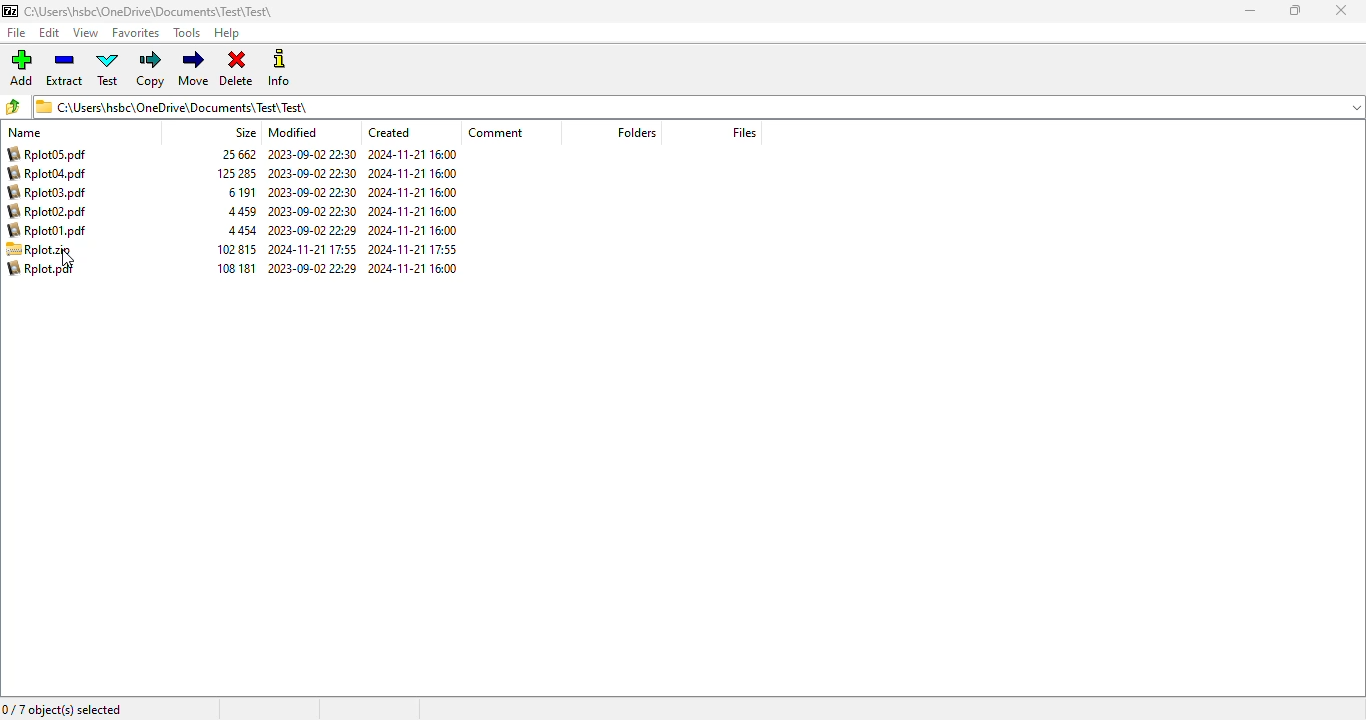 Image resolution: width=1366 pixels, height=720 pixels. Describe the element at coordinates (311, 212) in the screenshot. I see `2023-09-02 22:30` at that location.